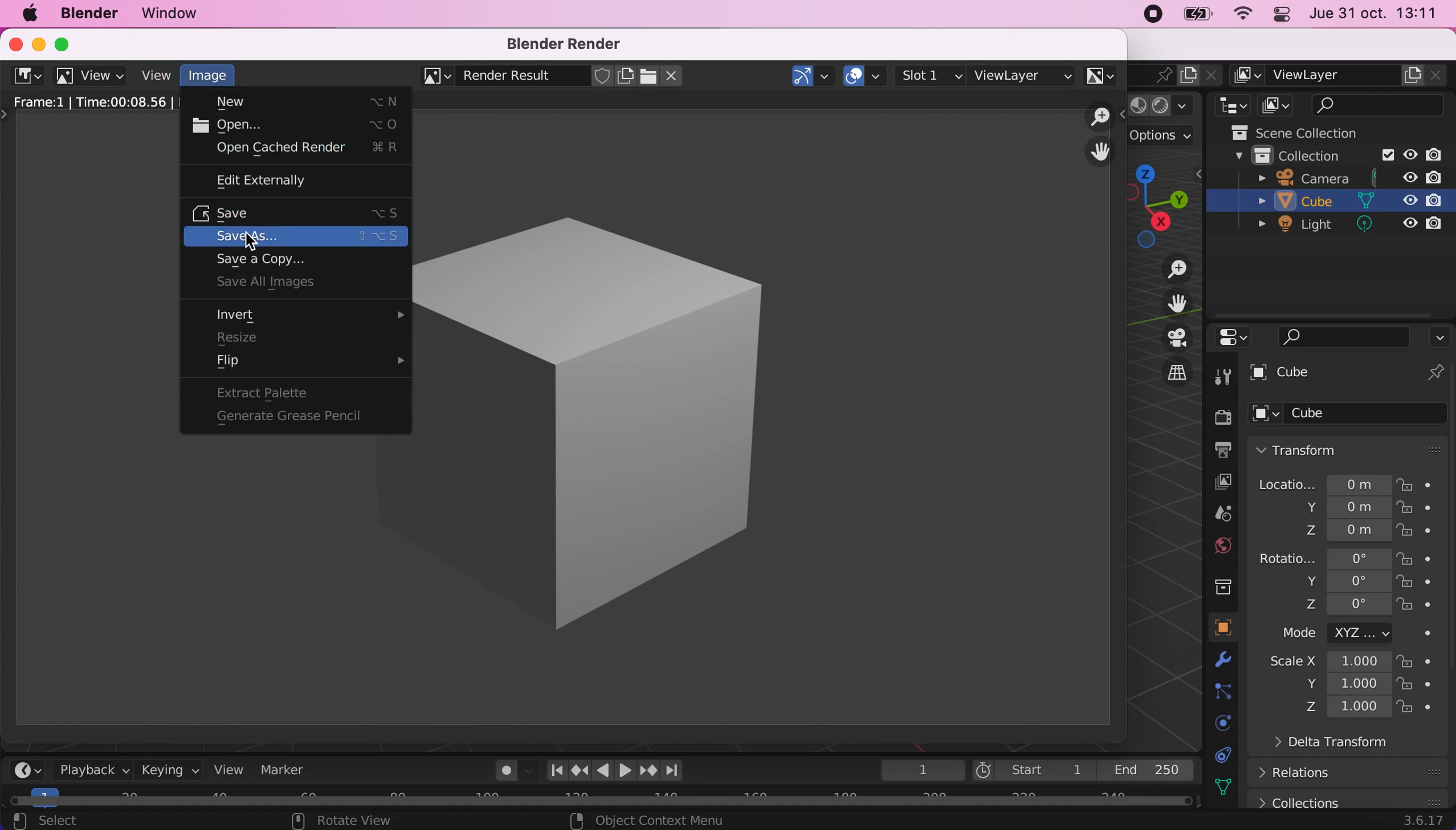 The image size is (1456, 830). I want to click on display mode, so click(1279, 105).